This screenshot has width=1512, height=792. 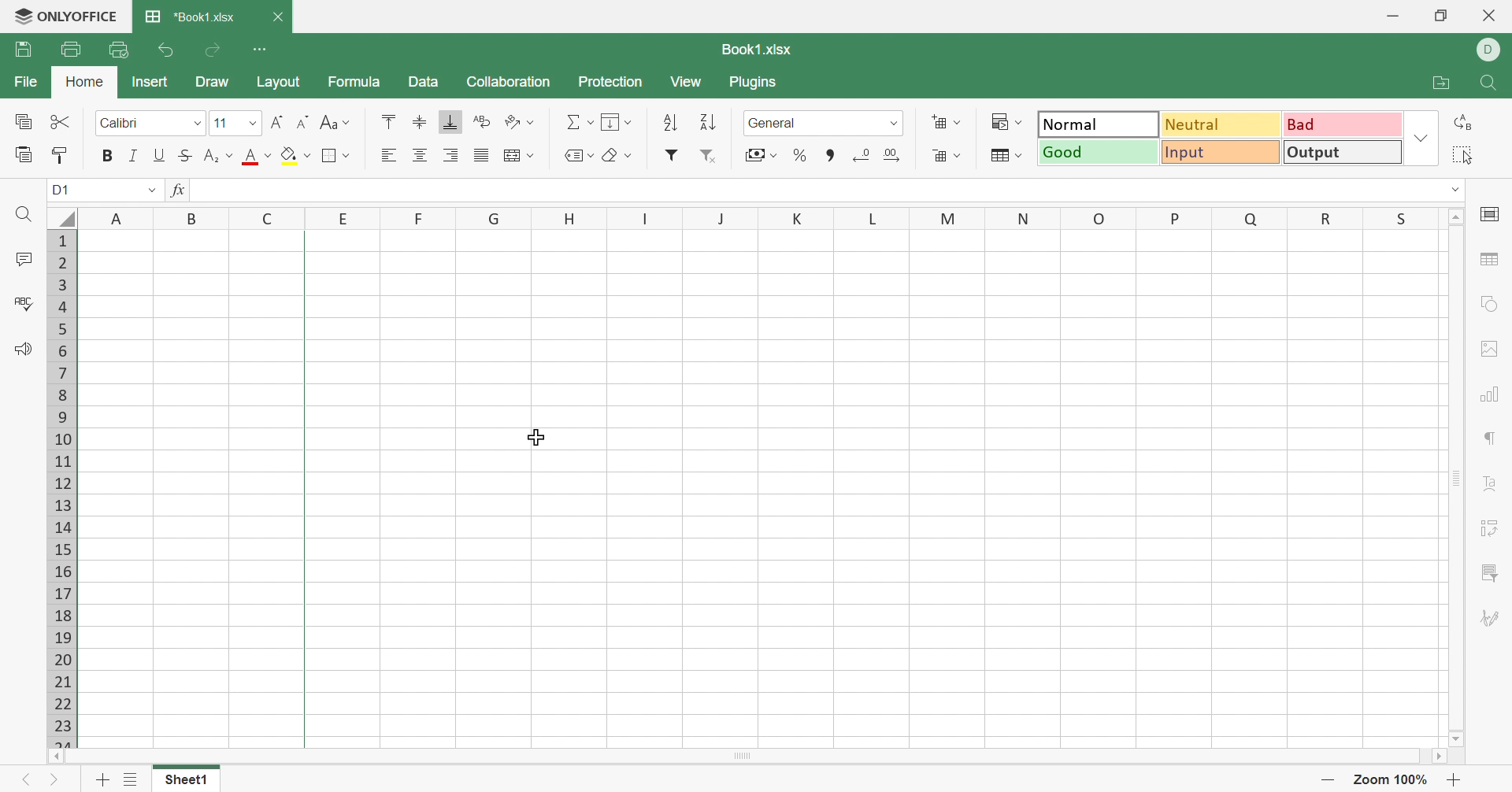 What do you see at coordinates (388, 121) in the screenshot?
I see `Align Top` at bounding box center [388, 121].